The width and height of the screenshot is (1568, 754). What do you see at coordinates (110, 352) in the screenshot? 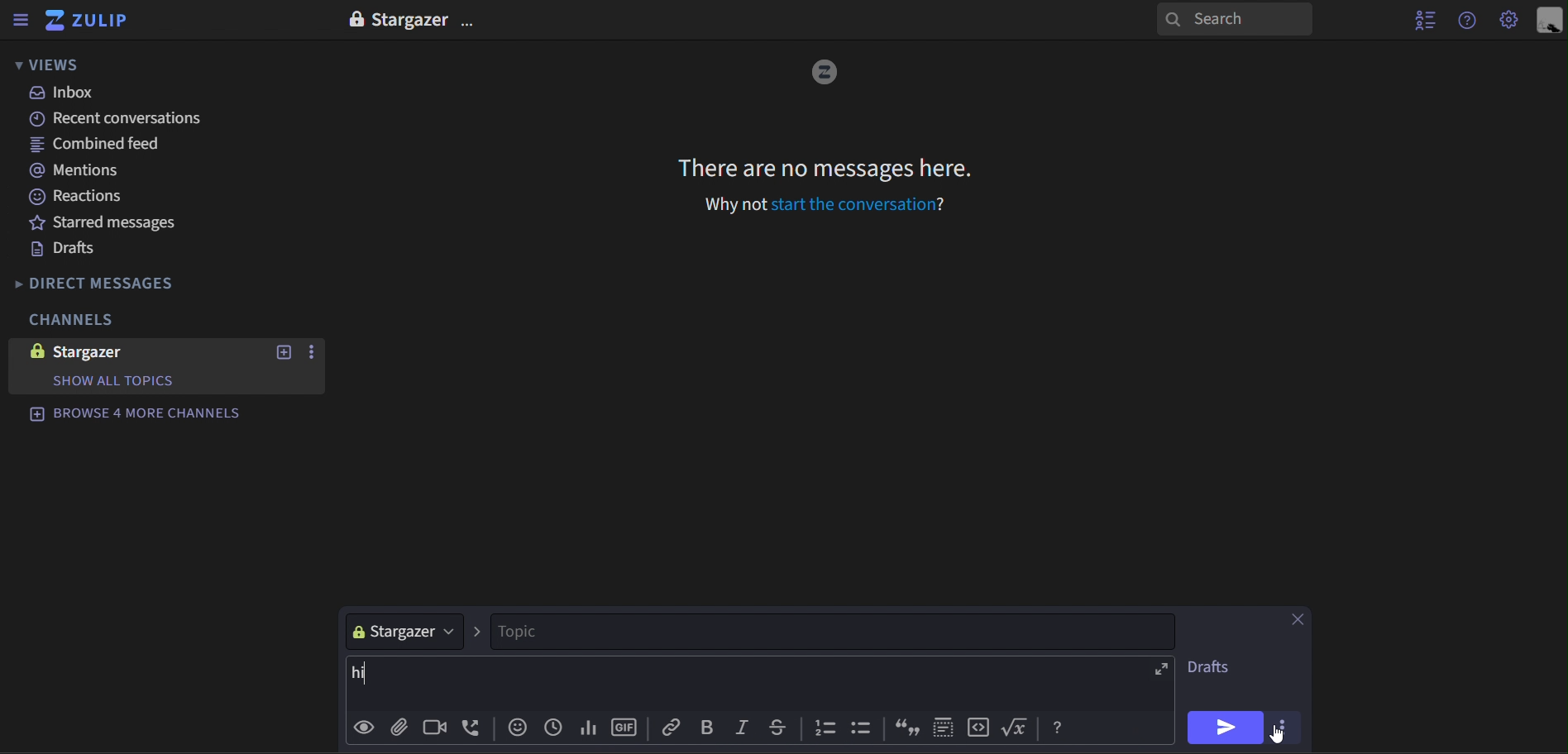
I see `stargazer` at bounding box center [110, 352].